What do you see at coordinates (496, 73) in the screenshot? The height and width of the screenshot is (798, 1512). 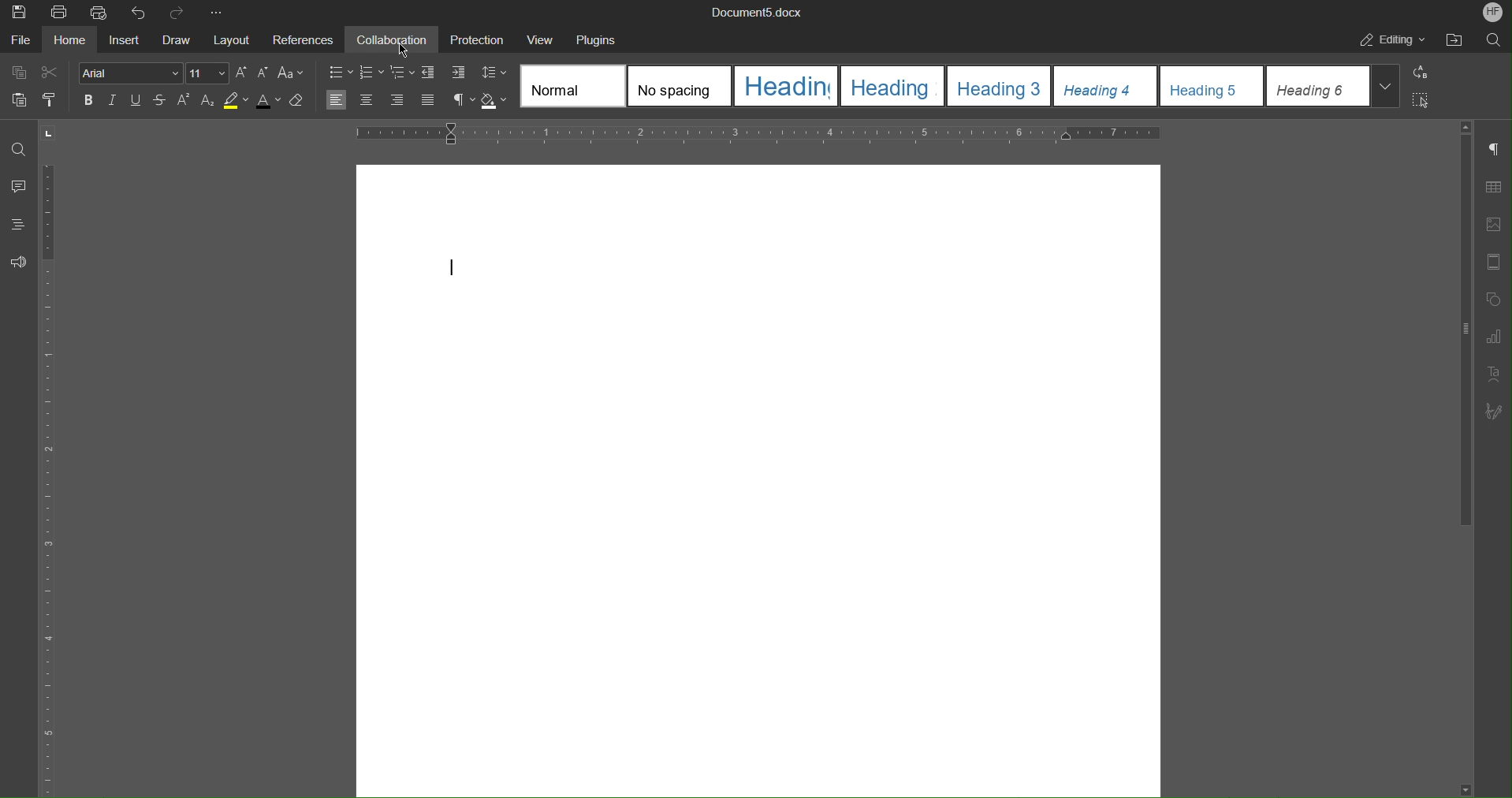 I see `Line Spacing` at bounding box center [496, 73].